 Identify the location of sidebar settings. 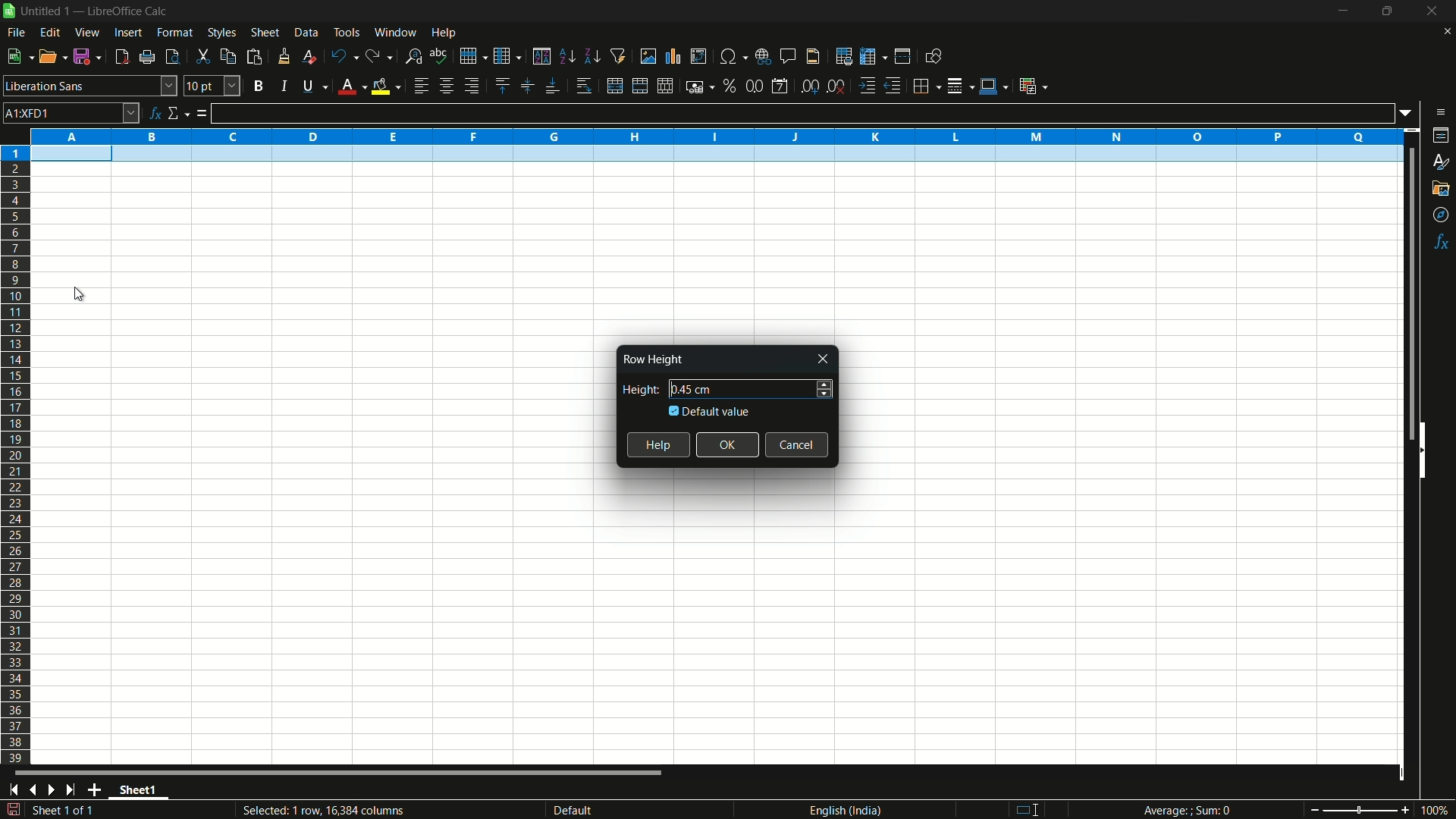
(1440, 112).